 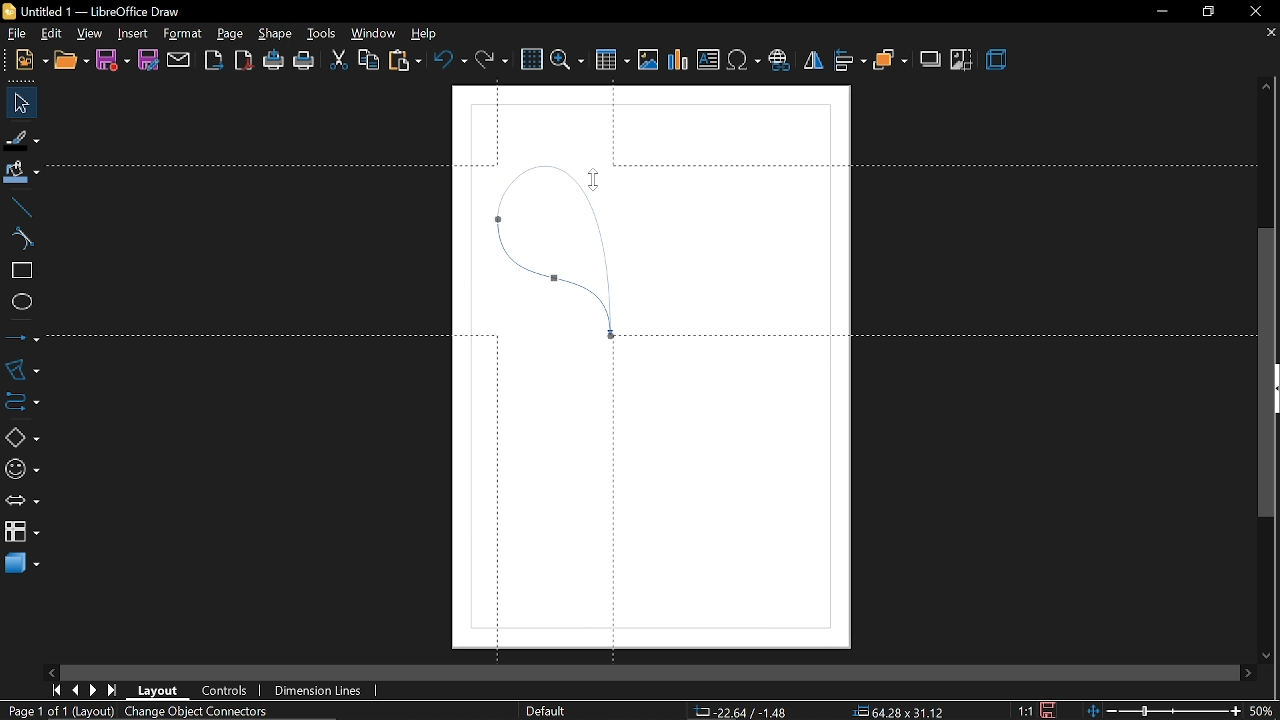 What do you see at coordinates (21, 566) in the screenshot?
I see `3d shapes` at bounding box center [21, 566].